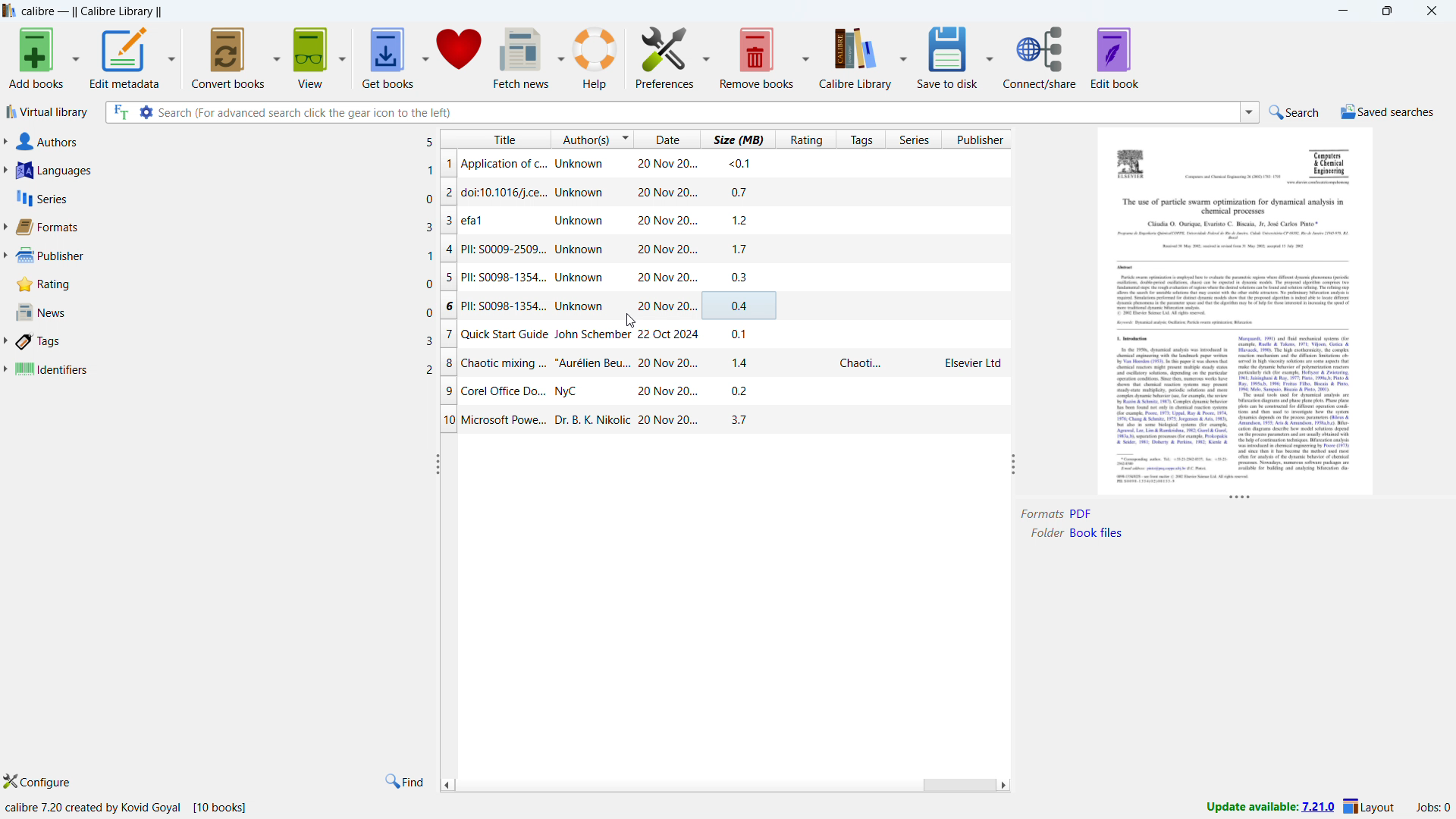 Image resolution: width=1456 pixels, height=819 pixels. What do you see at coordinates (446, 784) in the screenshot?
I see `scroll left` at bounding box center [446, 784].